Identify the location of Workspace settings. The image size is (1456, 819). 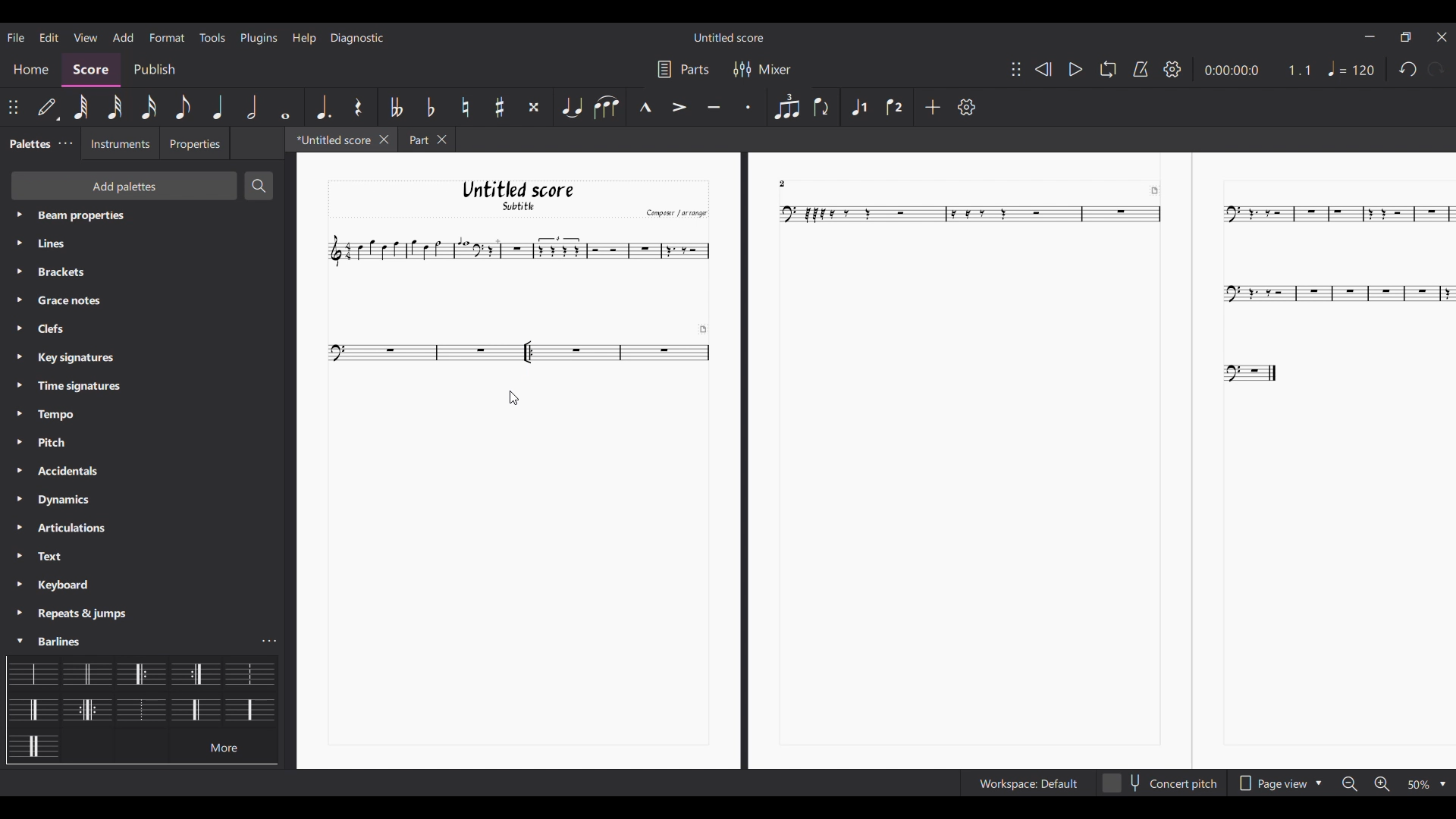
(1027, 783).